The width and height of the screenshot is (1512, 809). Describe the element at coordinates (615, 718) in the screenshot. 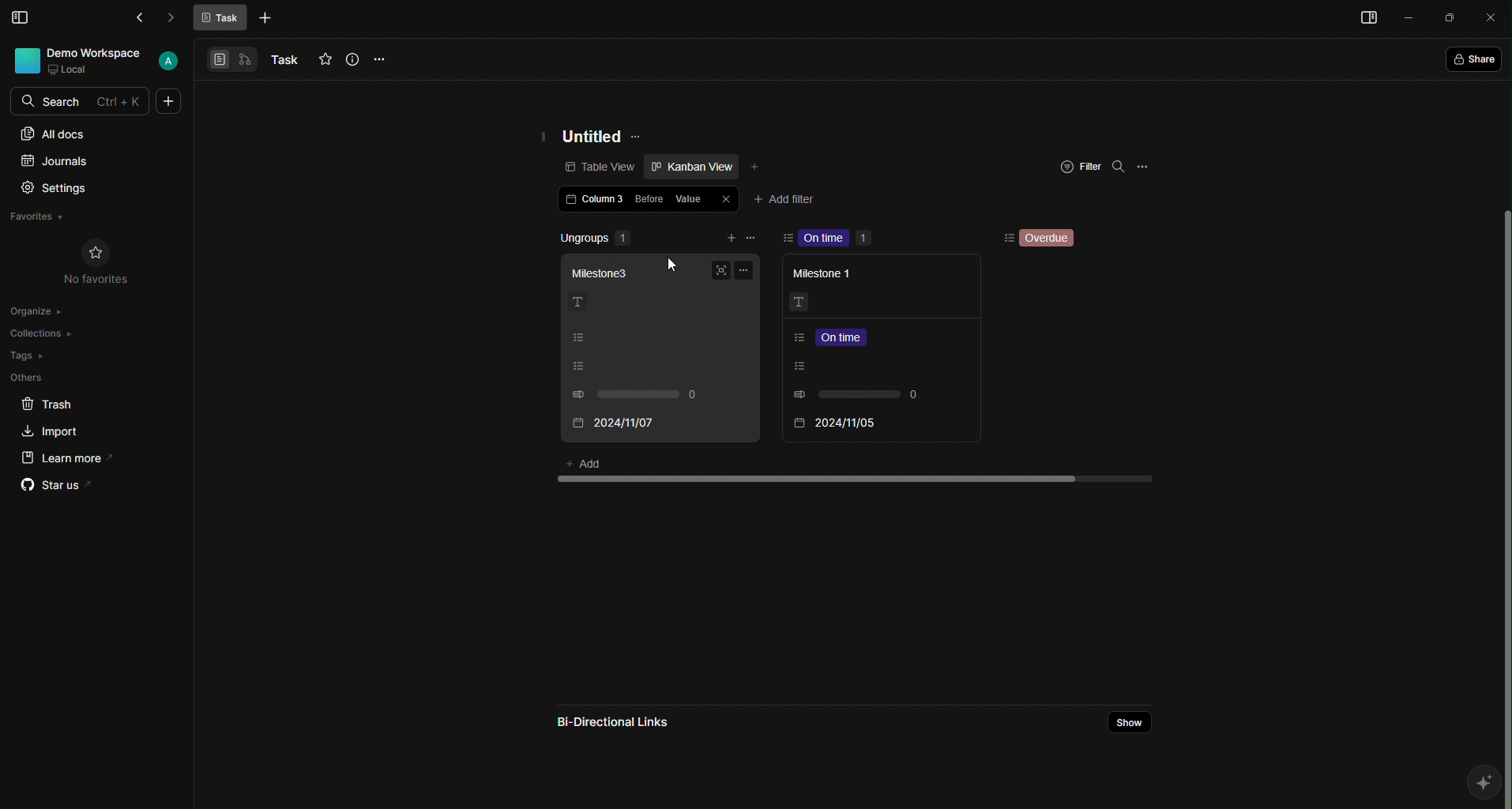

I see `Bi-directional links` at that location.